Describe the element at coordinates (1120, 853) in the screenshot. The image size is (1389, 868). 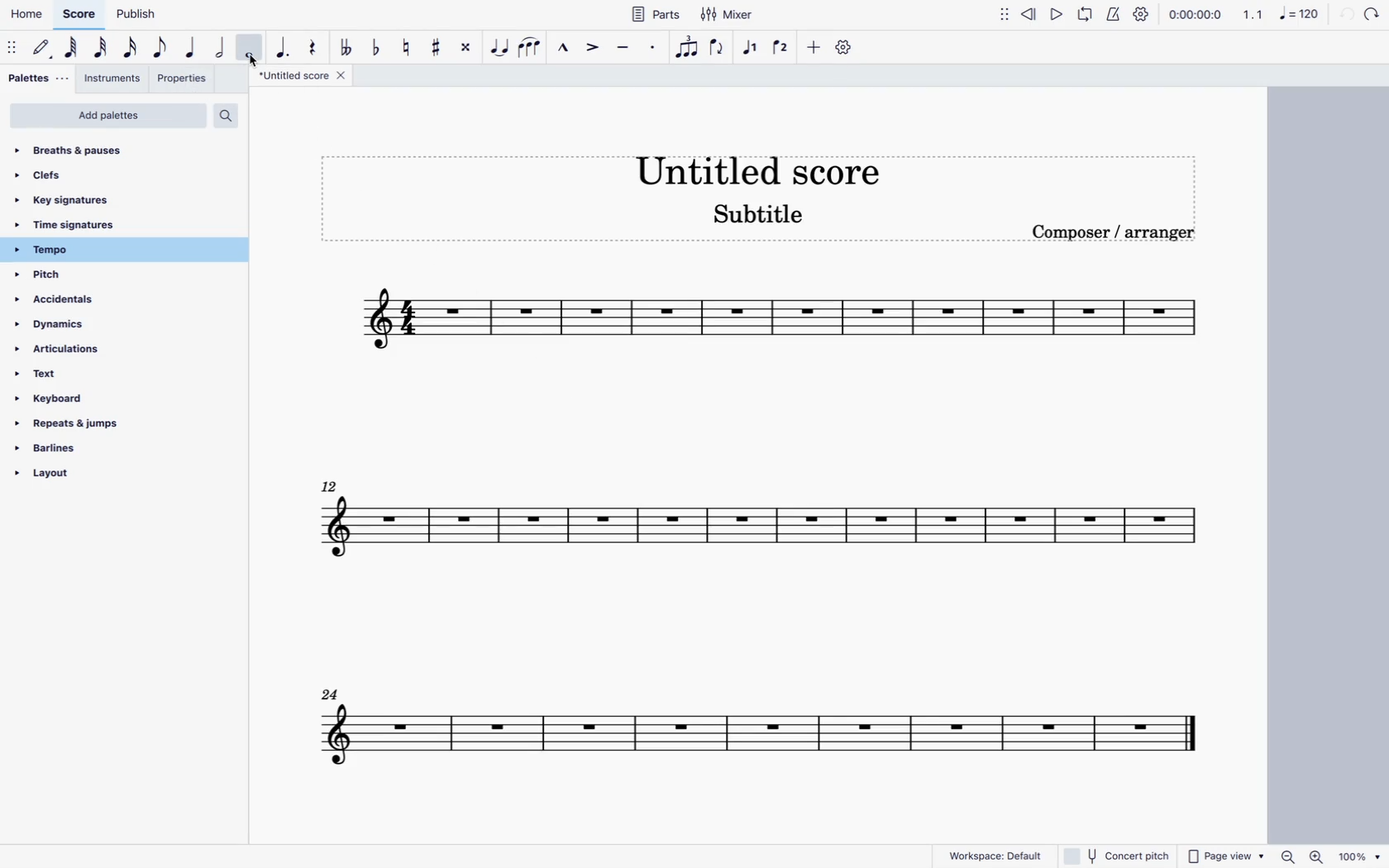
I see `concert pitch` at that location.